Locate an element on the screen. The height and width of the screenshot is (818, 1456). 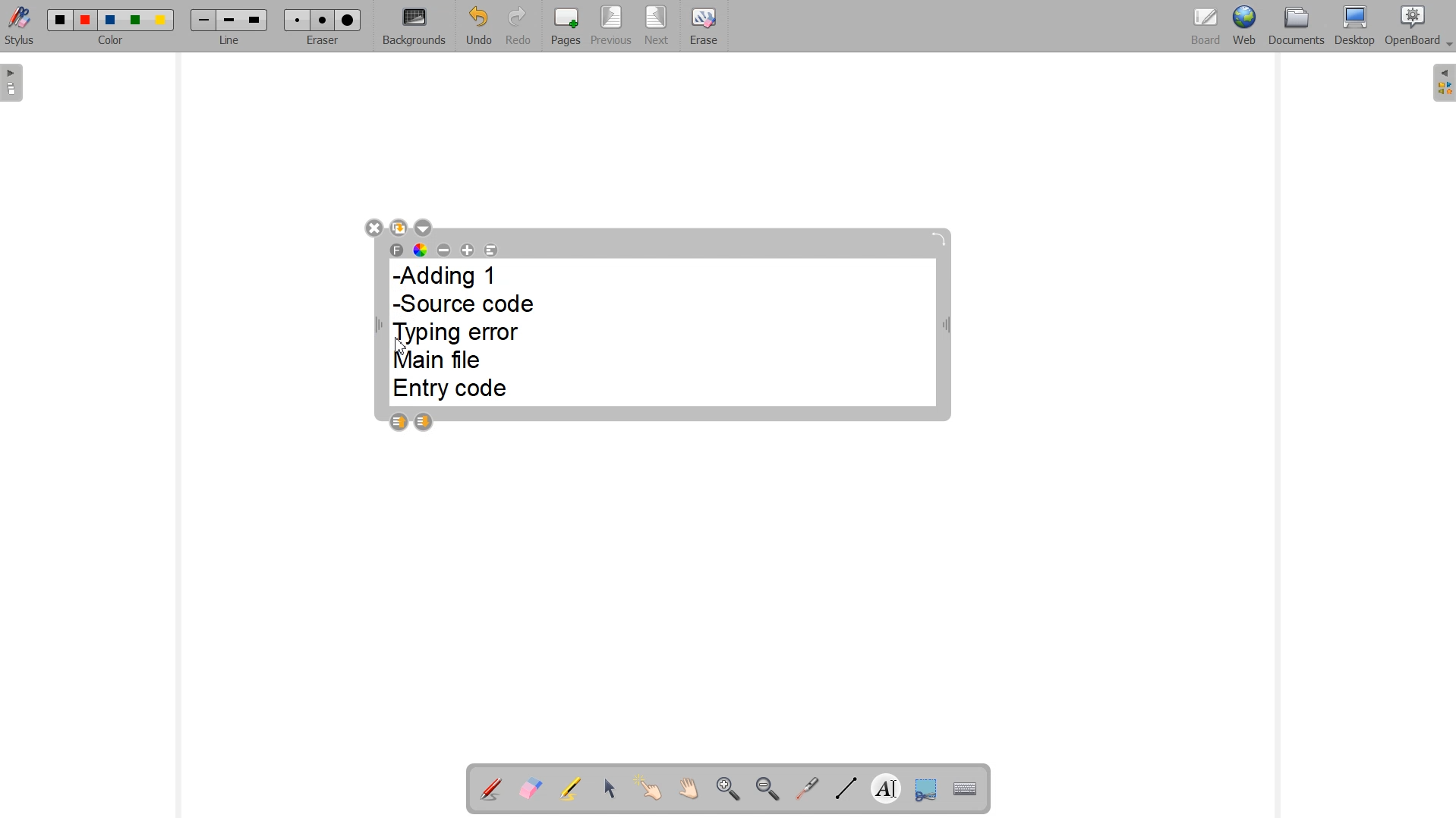
Interact with items is located at coordinates (650, 790).